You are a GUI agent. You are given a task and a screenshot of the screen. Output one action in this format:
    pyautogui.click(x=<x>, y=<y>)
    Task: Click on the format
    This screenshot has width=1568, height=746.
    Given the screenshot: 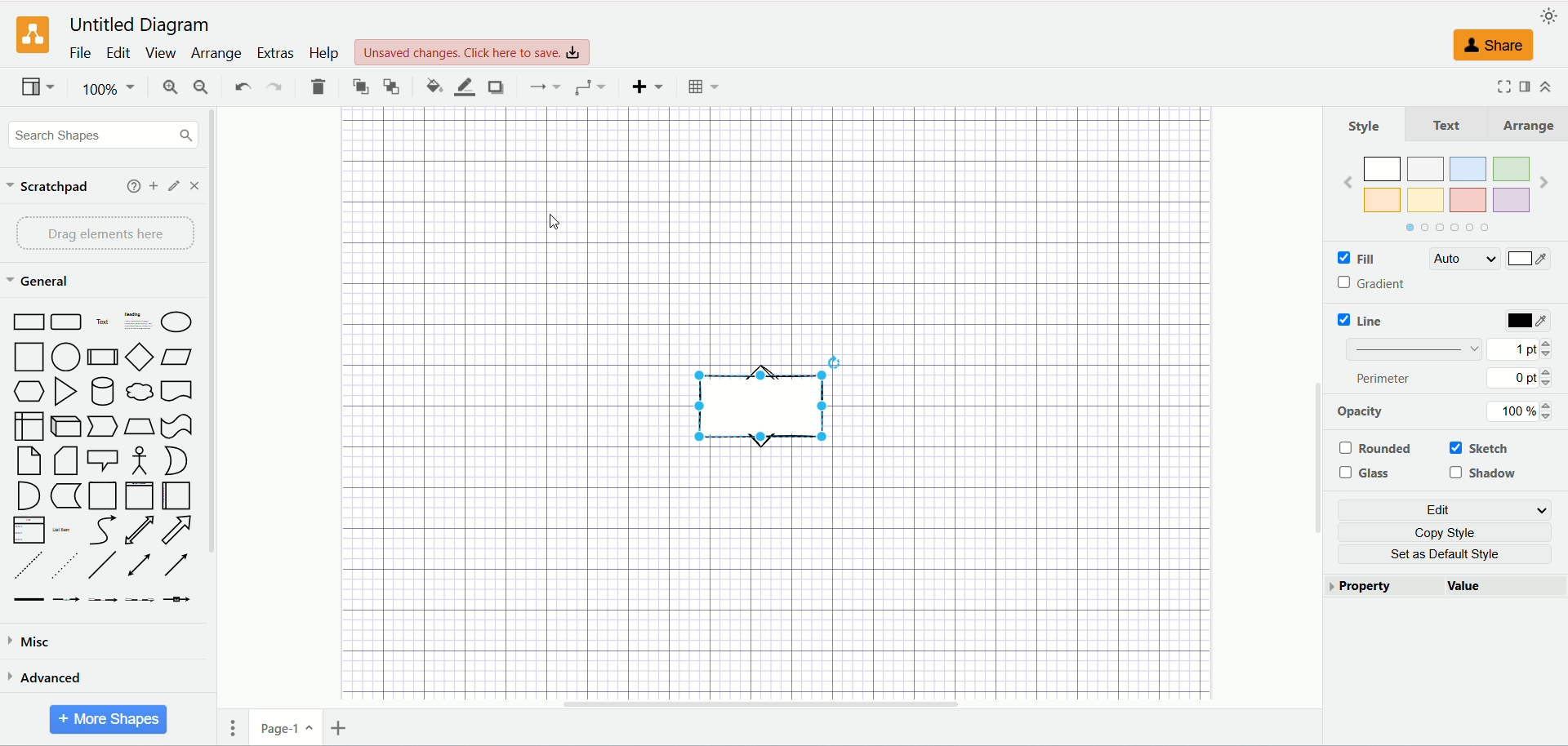 What is the action you would take?
    pyautogui.click(x=1521, y=87)
    